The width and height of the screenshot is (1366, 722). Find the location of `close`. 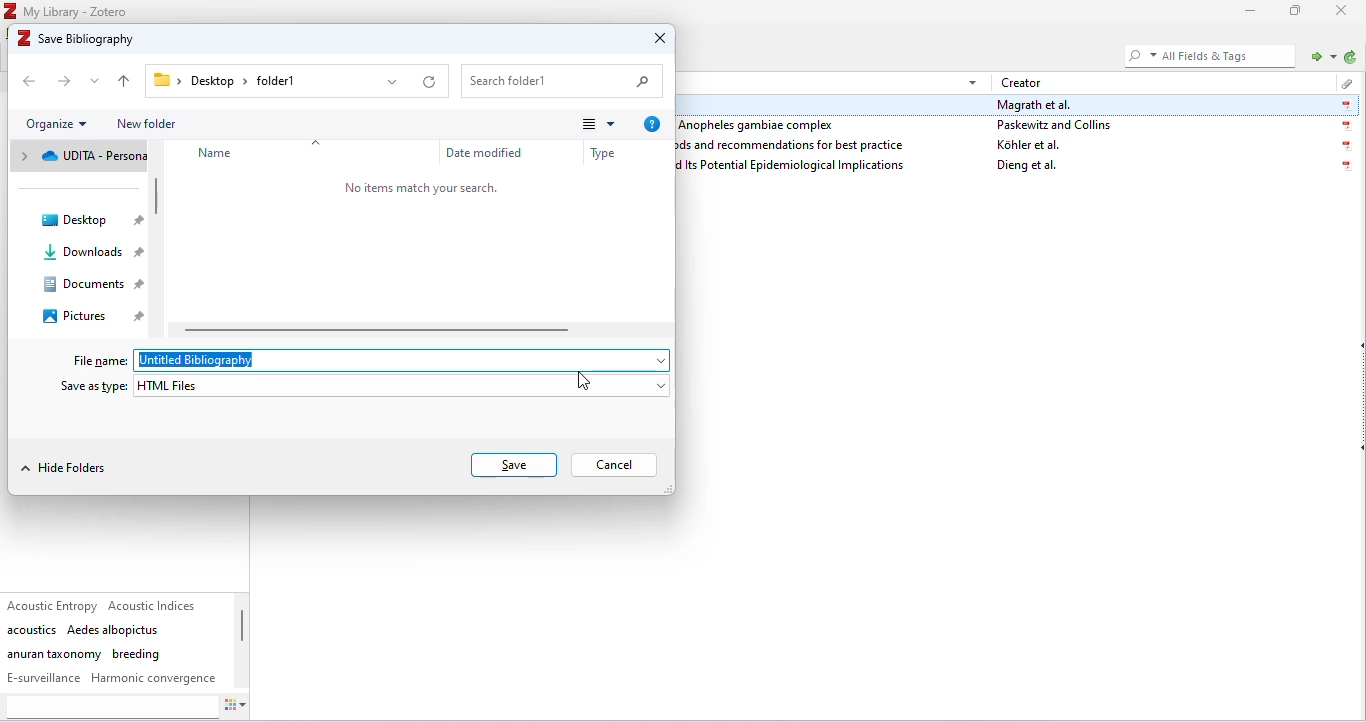

close is located at coordinates (1343, 11).